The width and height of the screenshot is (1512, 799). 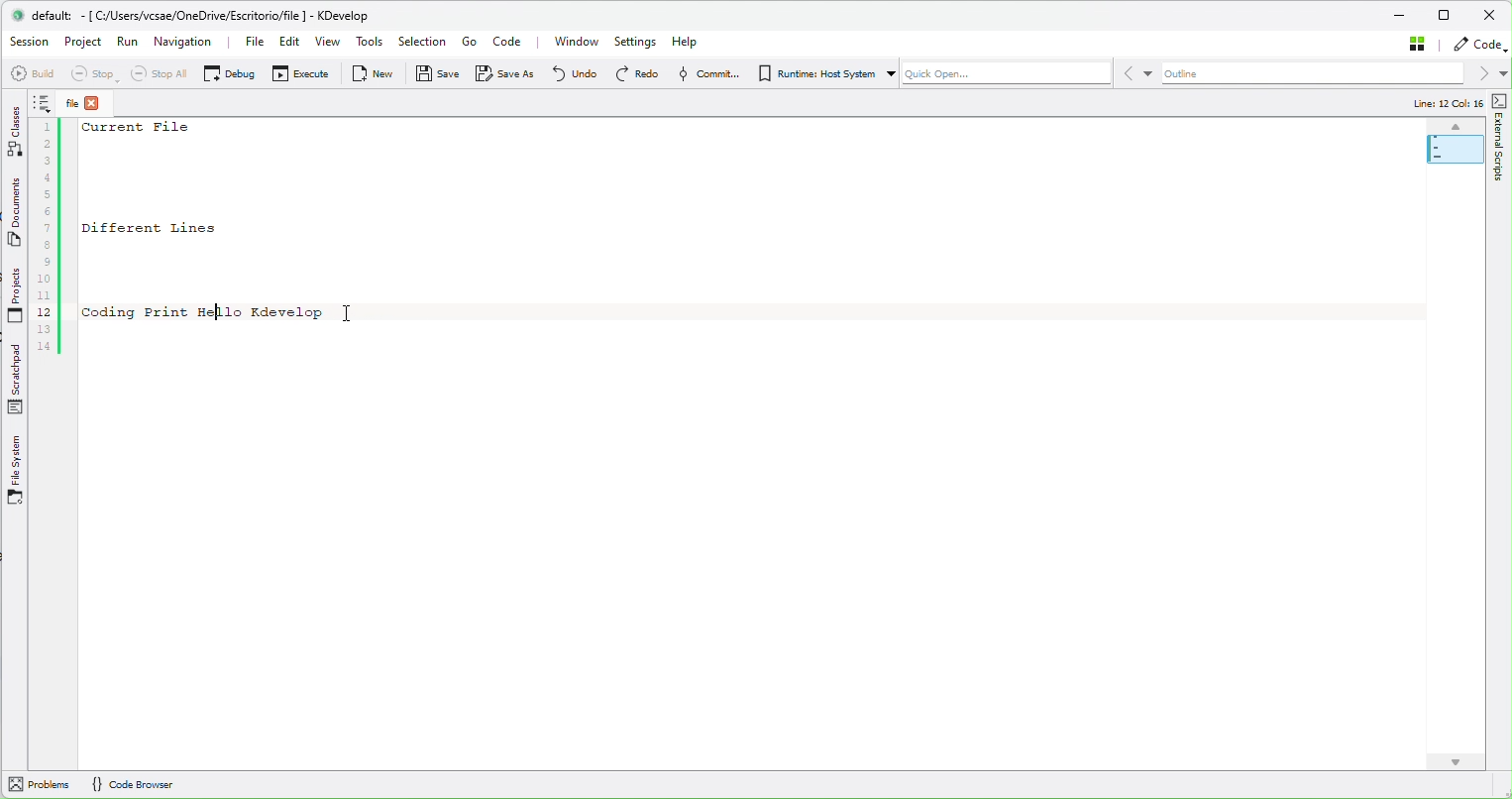 I want to click on Undo, so click(x=568, y=74).